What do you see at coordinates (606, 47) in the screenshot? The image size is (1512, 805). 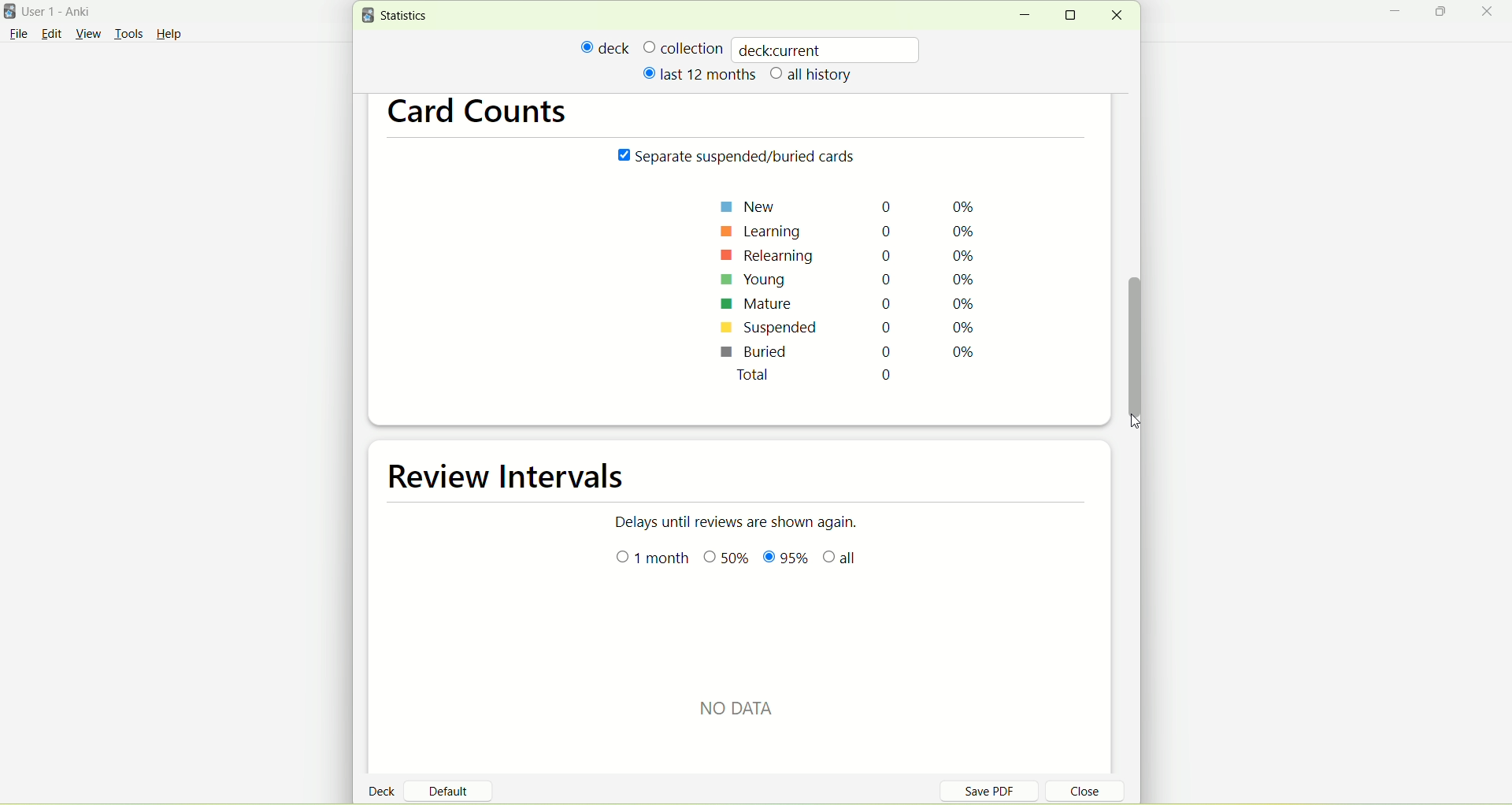 I see `deck` at bounding box center [606, 47].